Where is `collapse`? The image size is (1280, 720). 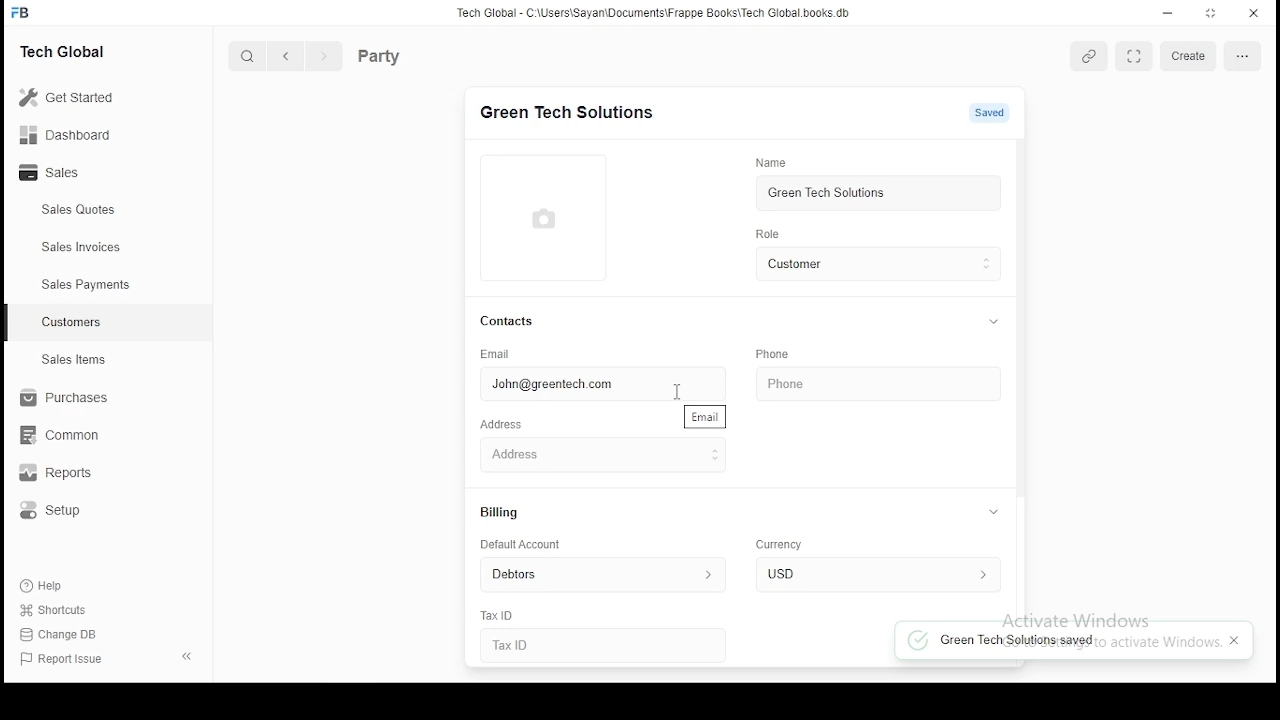 collapse is located at coordinates (991, 513).